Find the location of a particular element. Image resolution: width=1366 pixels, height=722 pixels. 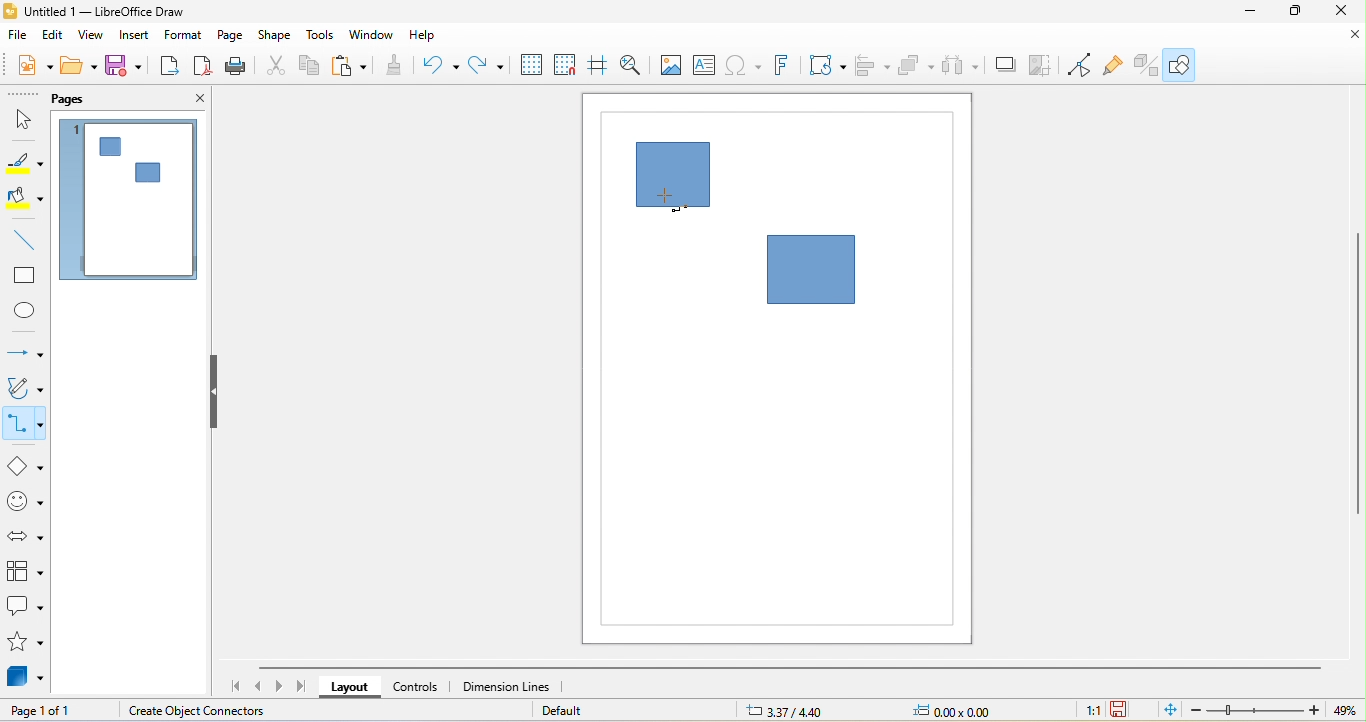

callout shape is located at coordinates (26, 605).